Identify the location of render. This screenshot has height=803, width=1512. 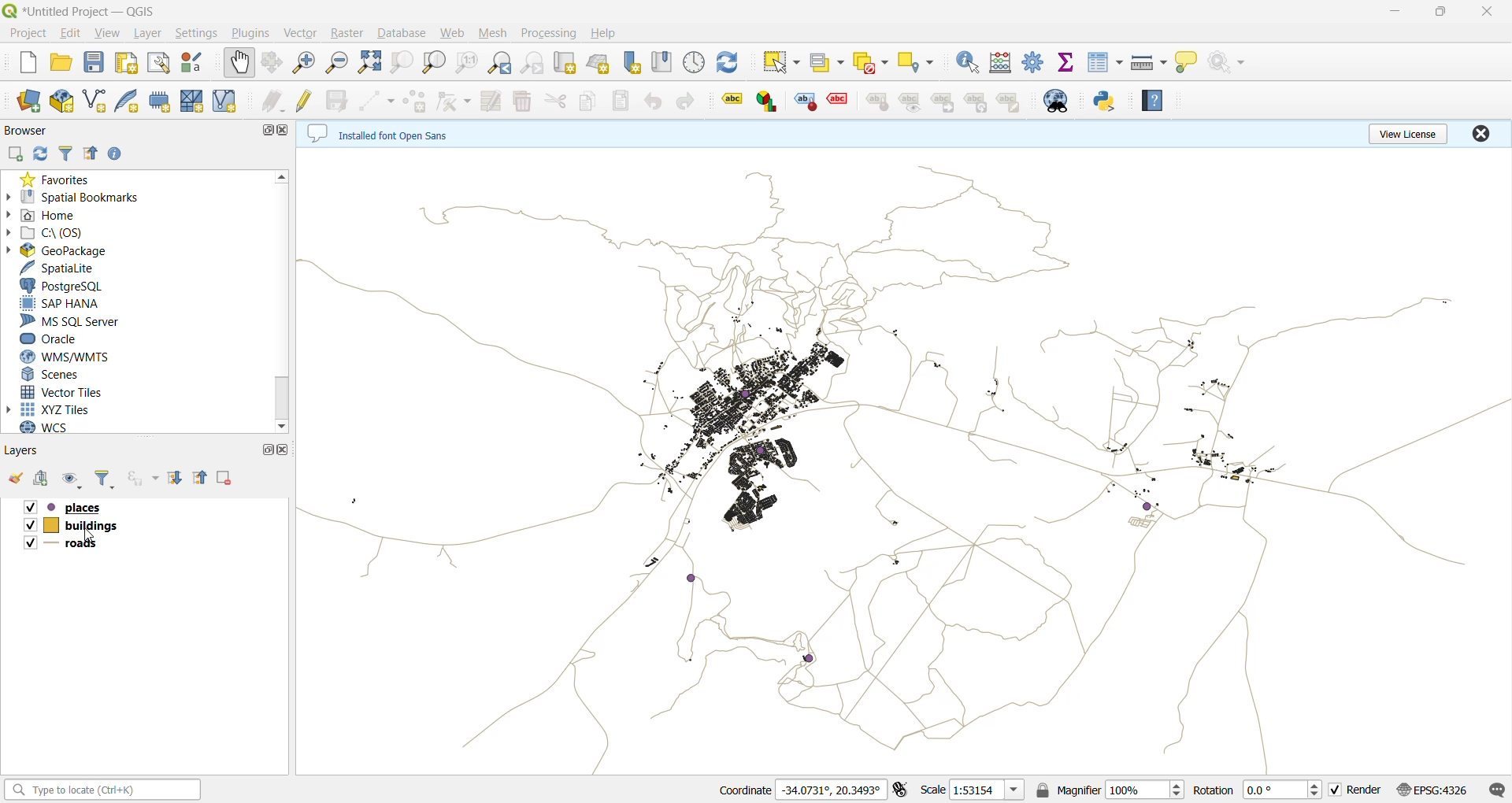
(1360, 792).